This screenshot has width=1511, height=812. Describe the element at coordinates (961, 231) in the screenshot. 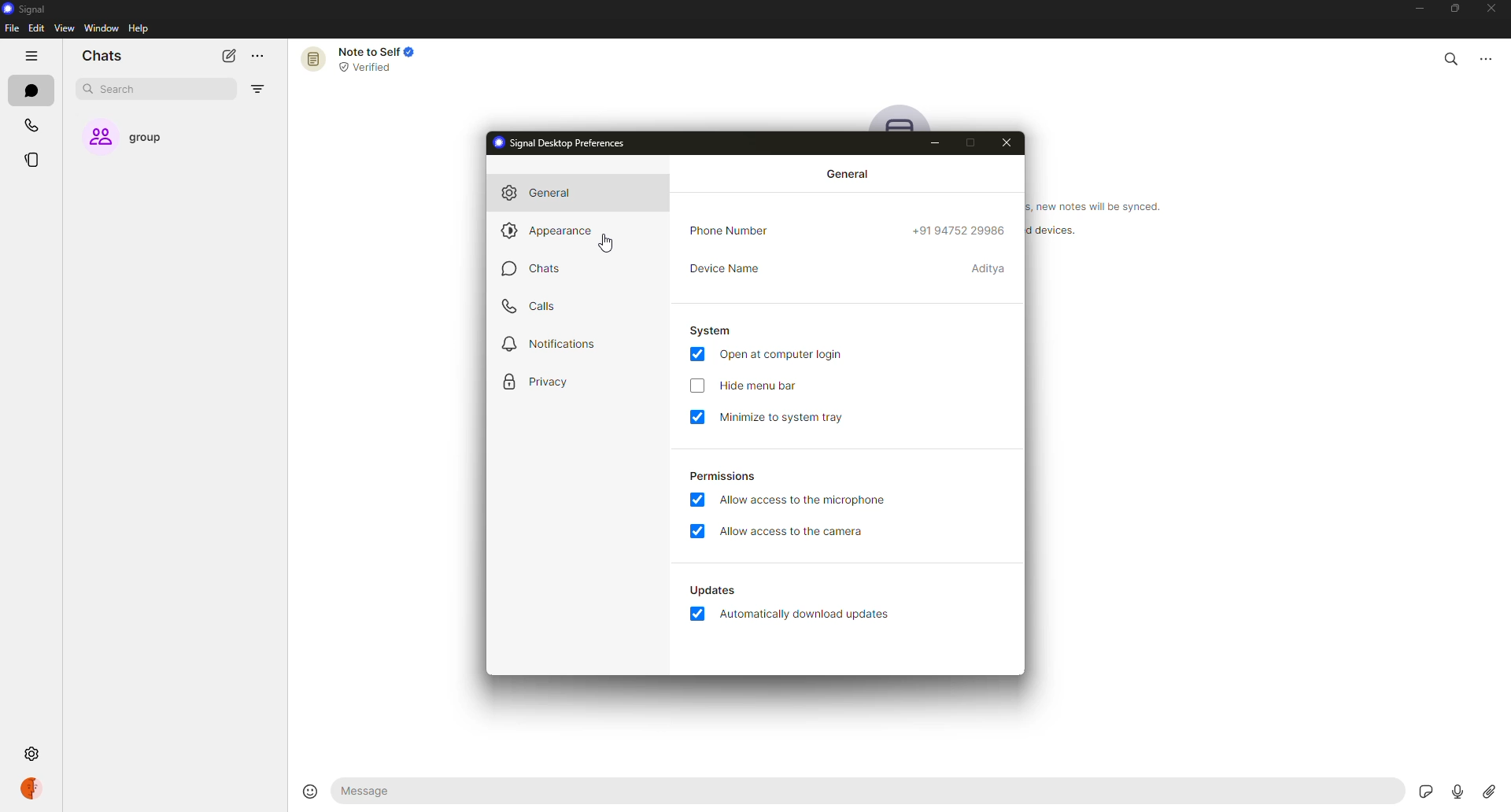

I see `phone number` at that location.